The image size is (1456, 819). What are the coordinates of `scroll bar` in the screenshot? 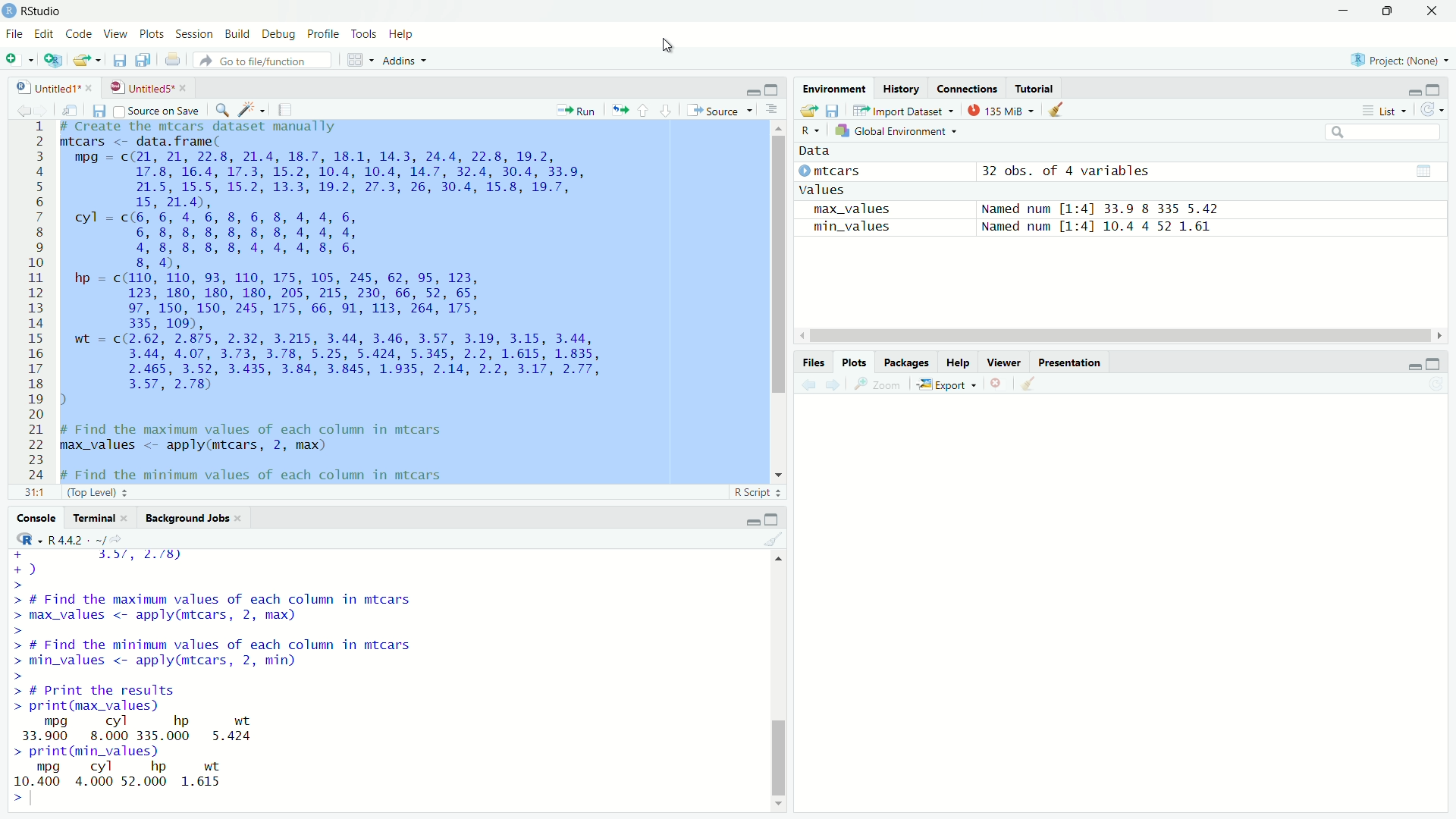 It's located at (773, 298).